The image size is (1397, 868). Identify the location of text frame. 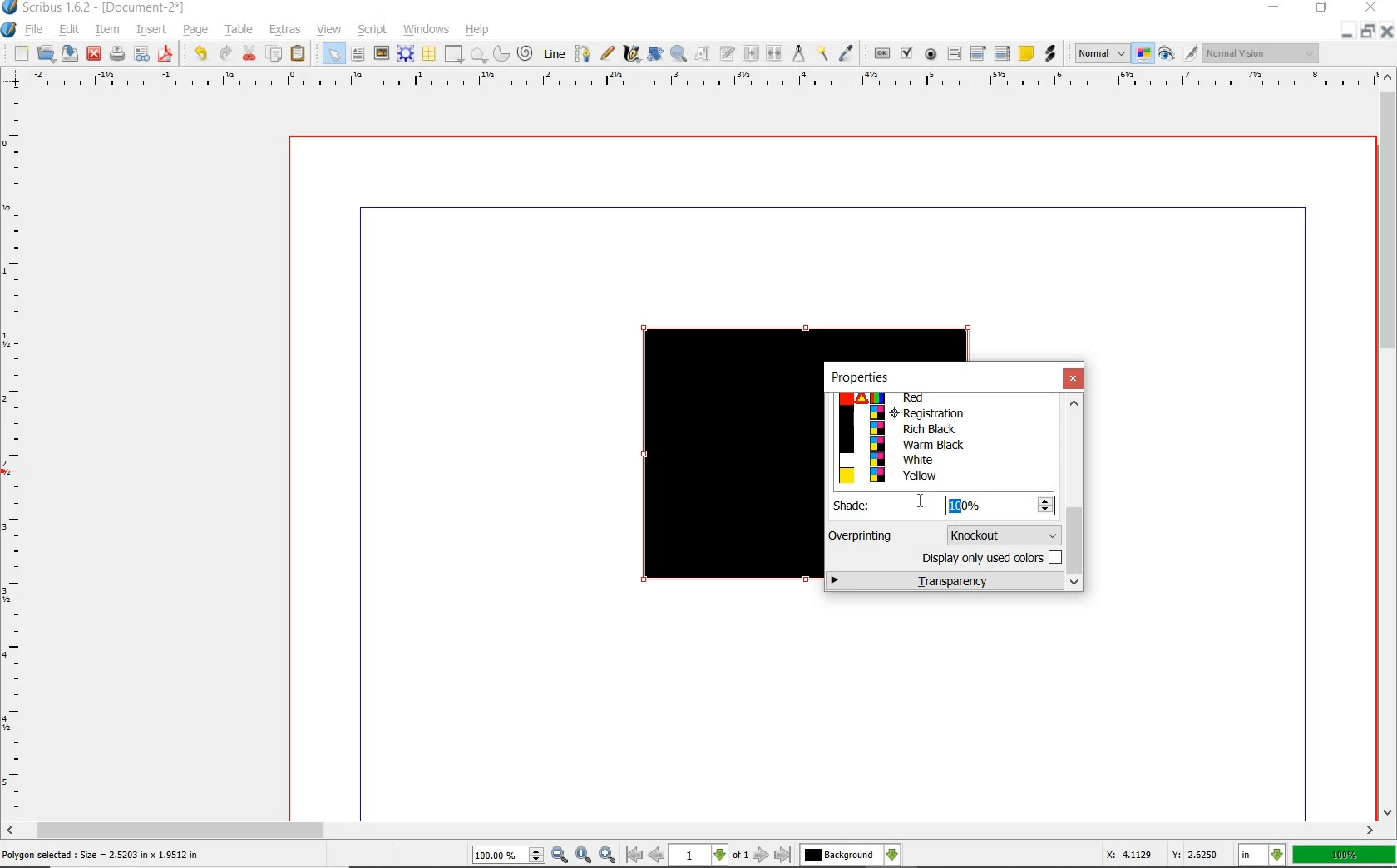
(360, 53).